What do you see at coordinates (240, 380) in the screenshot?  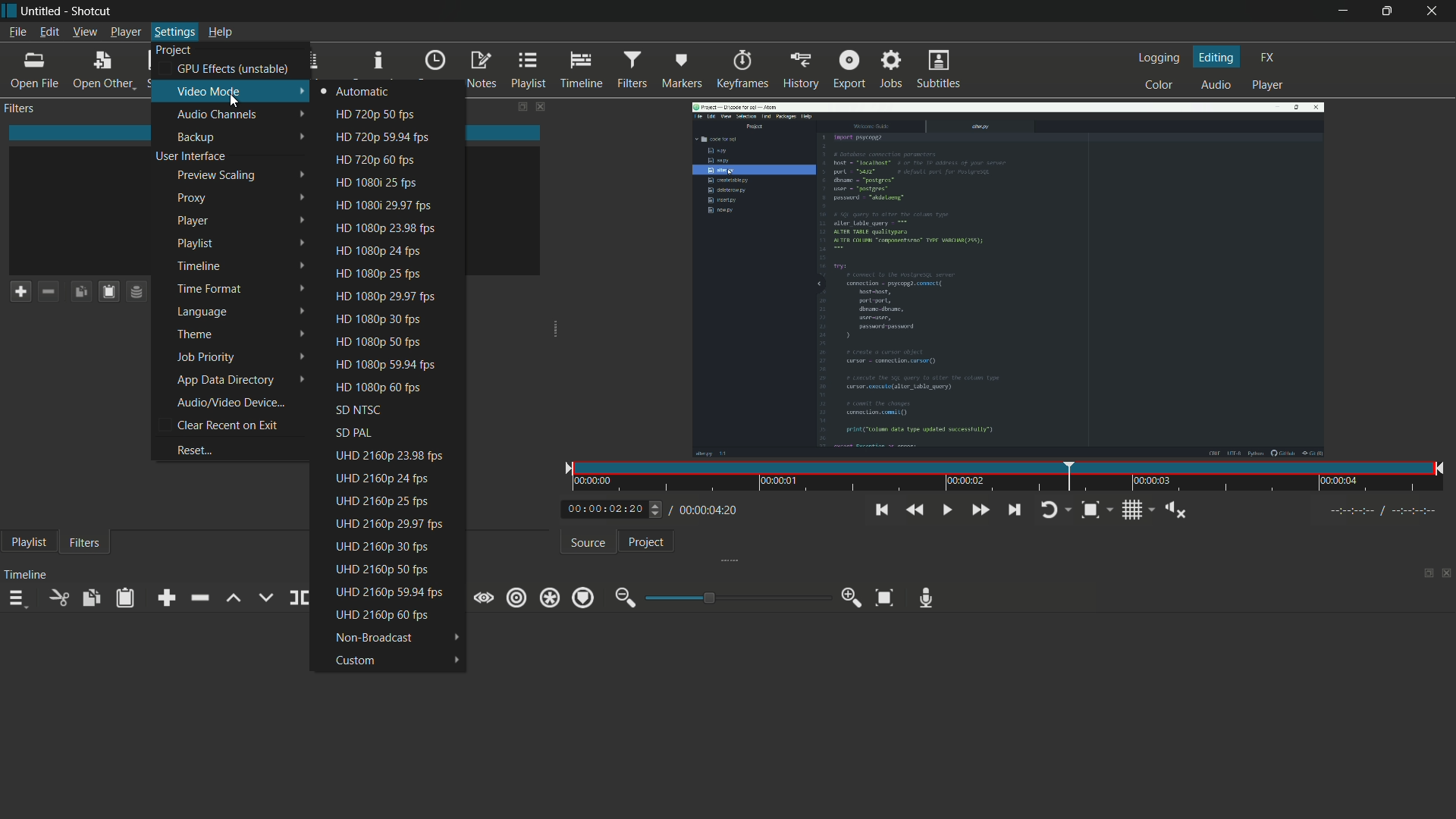 I see `app data directory` at bounding box center [240, 380].